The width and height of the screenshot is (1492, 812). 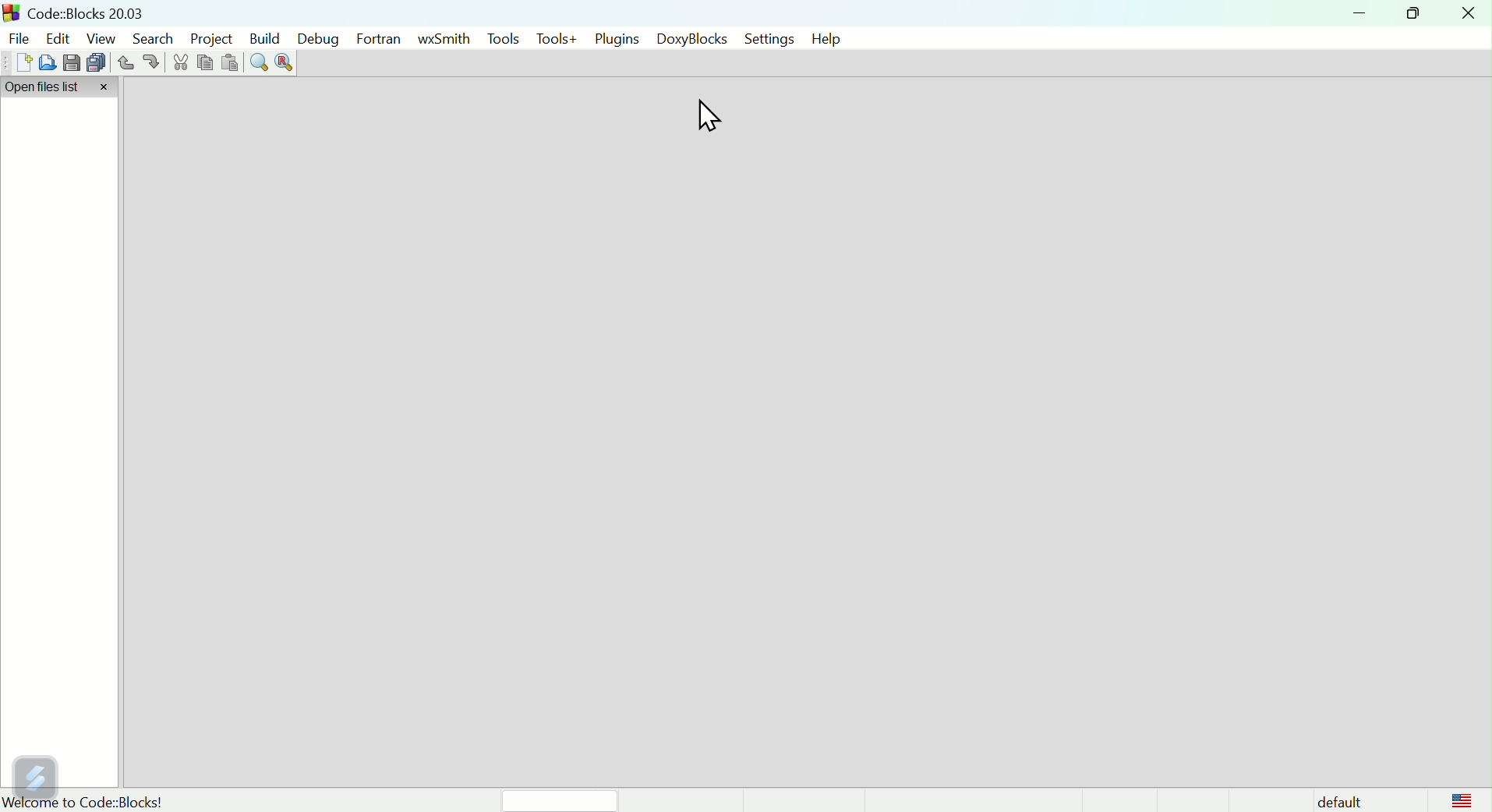 I want to click on plugins, so click(x=618, y=41).